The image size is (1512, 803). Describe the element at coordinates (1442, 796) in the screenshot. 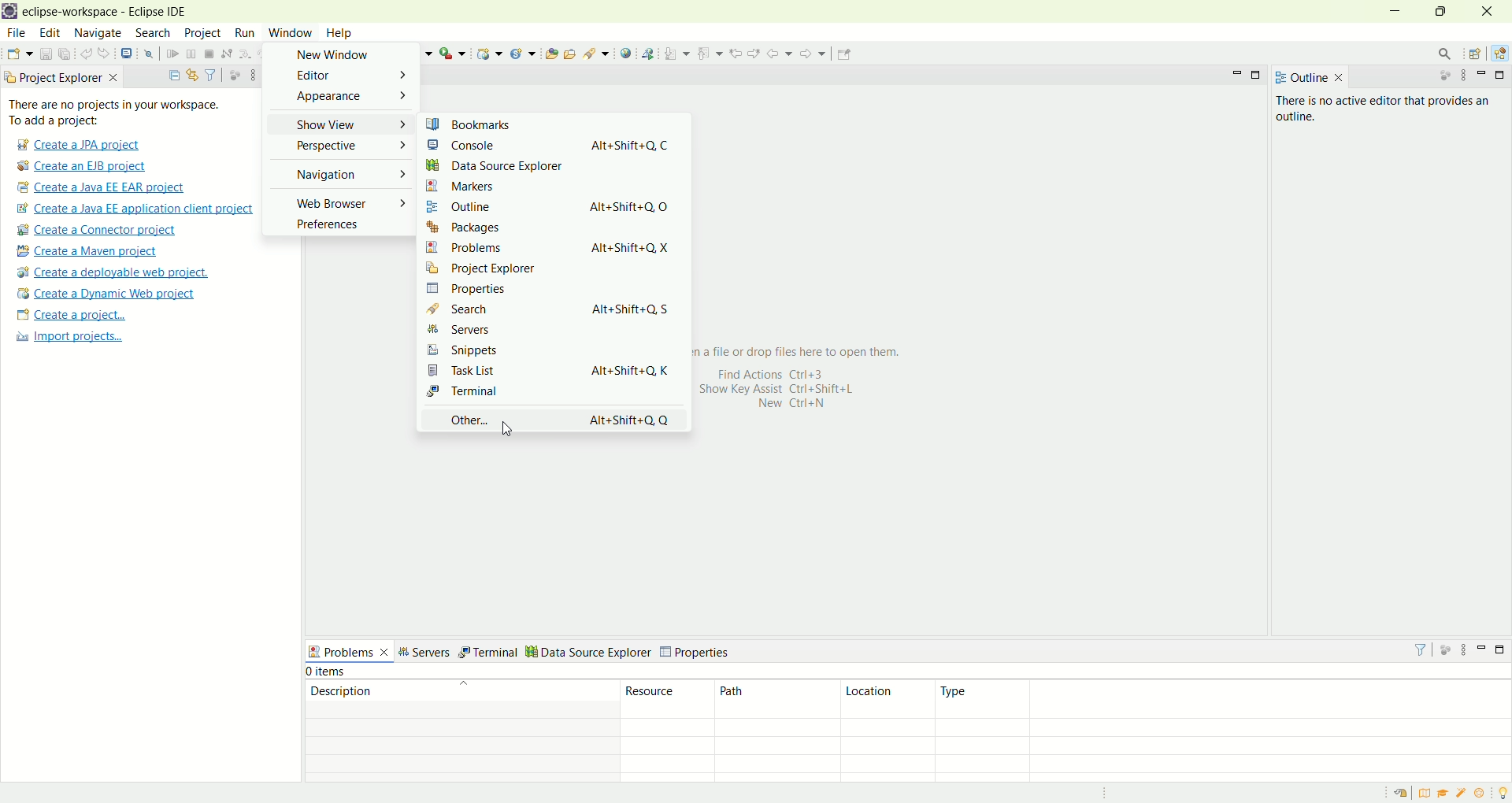

I see `tutorial` at that location.